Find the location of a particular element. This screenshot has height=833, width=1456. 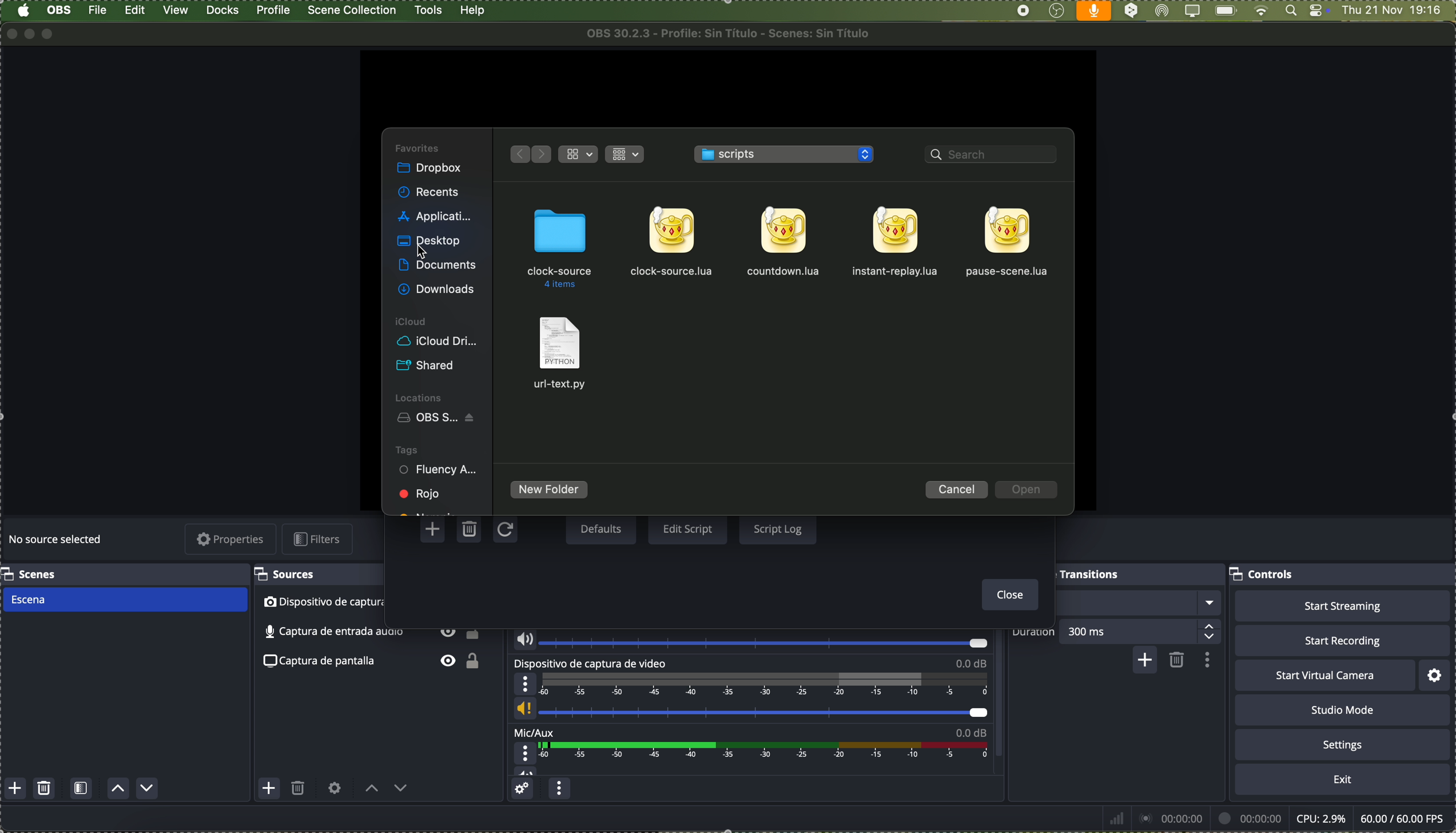

close program is located at coordinates (9, 33).